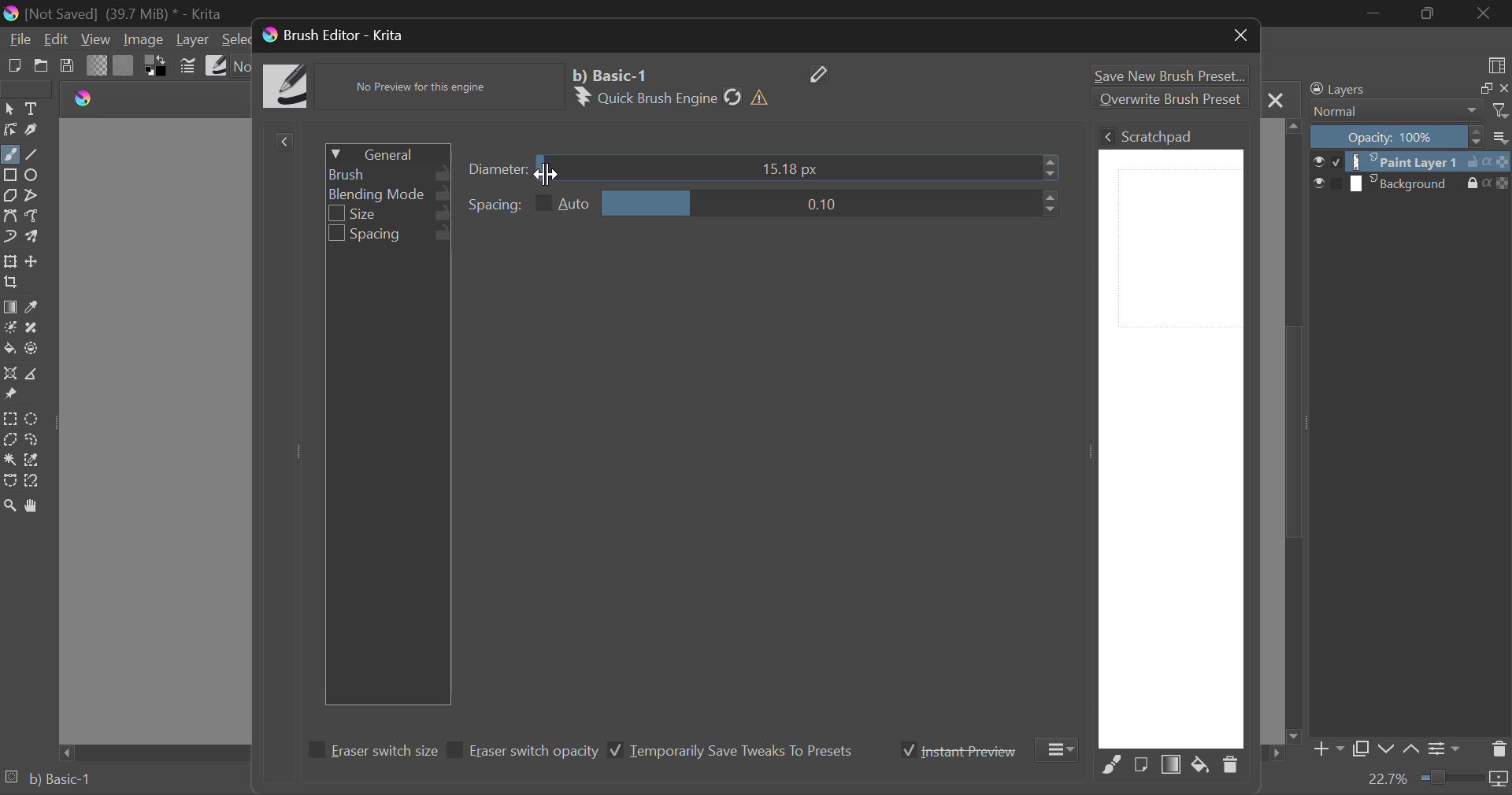 This screenshot has height=795, width=1512. Describe the element at coordinates (9, 460) in the screenshot. I see `Continuous Selection` at that location.